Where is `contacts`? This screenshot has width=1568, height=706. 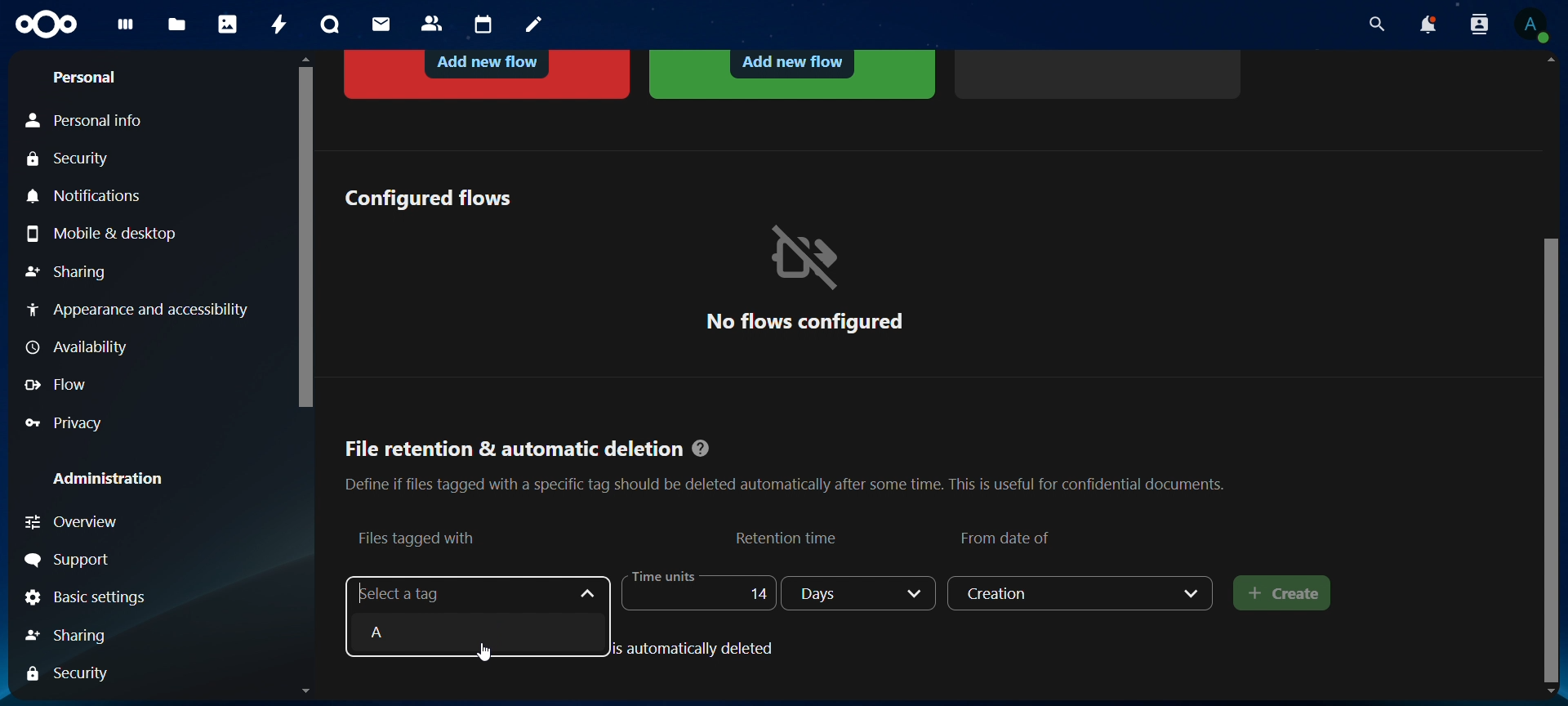 contacts is located at coordinates (433, 25).